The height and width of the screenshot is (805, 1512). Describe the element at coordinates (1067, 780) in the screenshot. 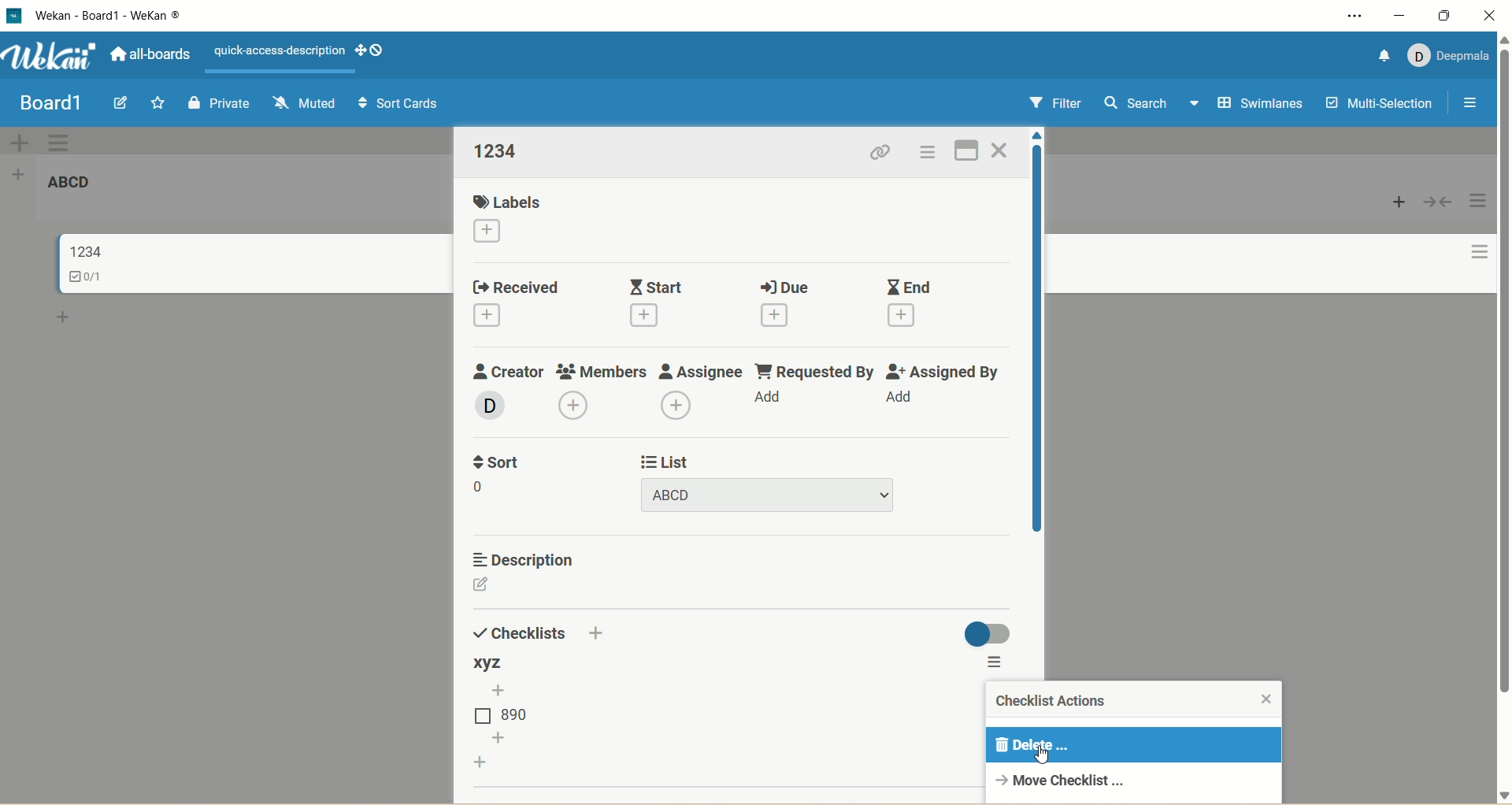

I see `move checklist` at that location.